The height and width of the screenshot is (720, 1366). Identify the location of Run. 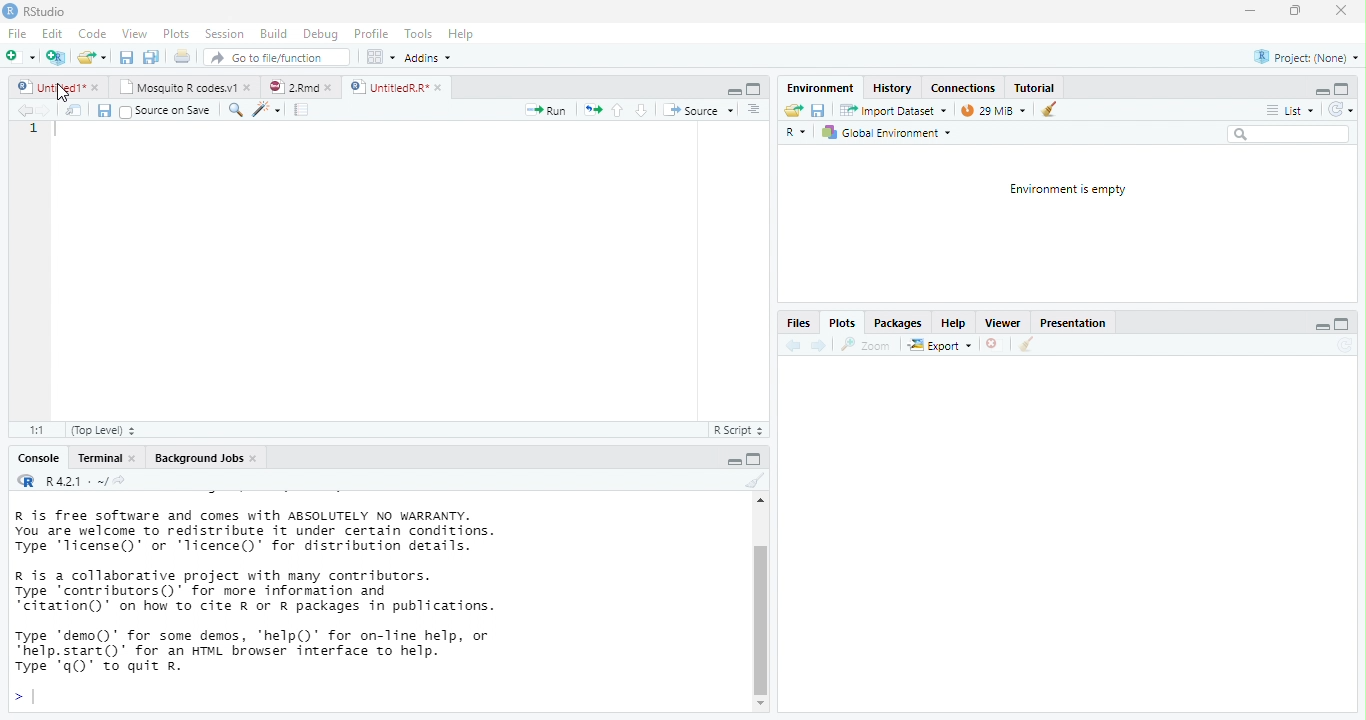
(547, 111).